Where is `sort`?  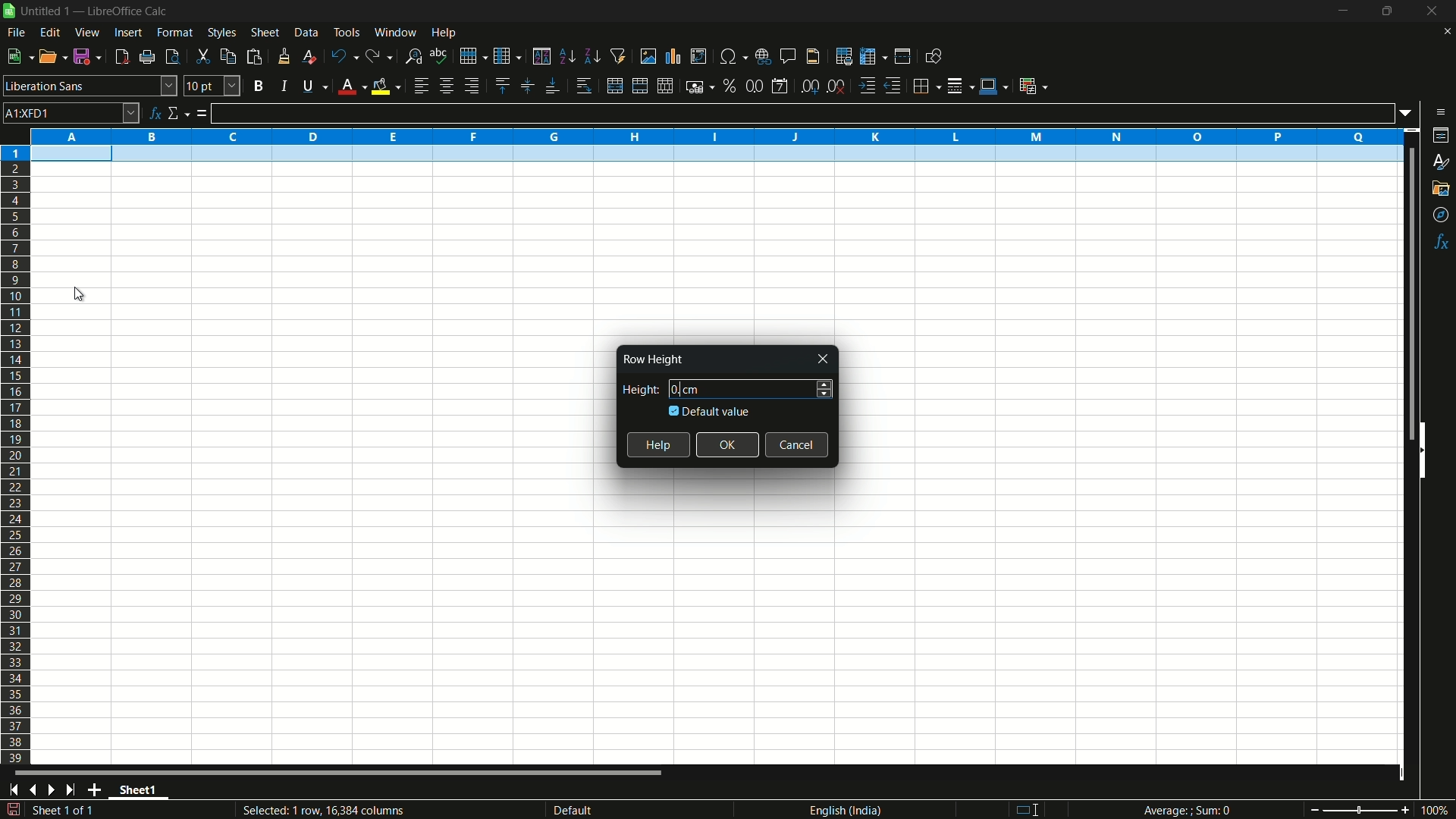
sort is located at coordinates (541, 56).